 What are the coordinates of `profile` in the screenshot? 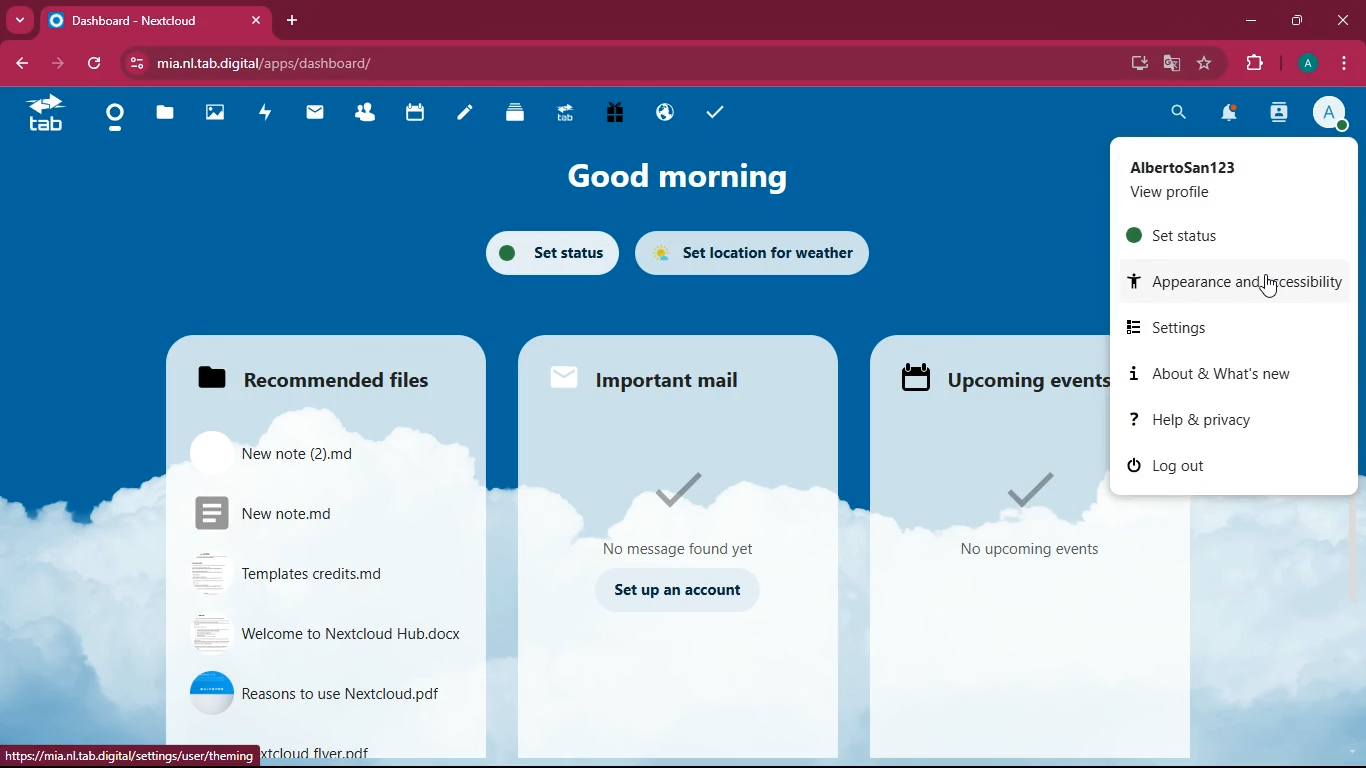 It's located at (1309, 63).